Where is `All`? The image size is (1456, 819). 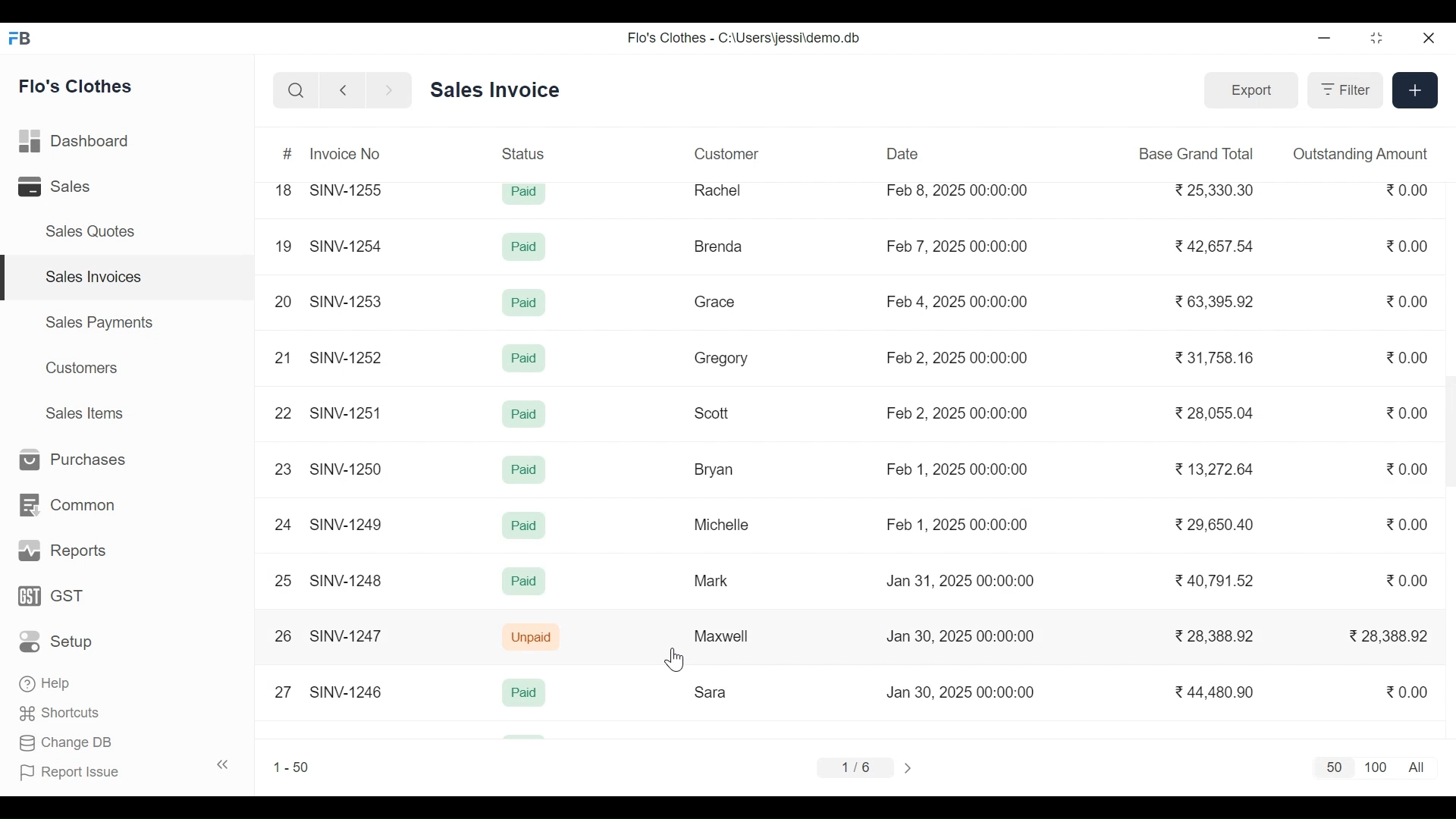 All is located at coordinates (1420, 767).